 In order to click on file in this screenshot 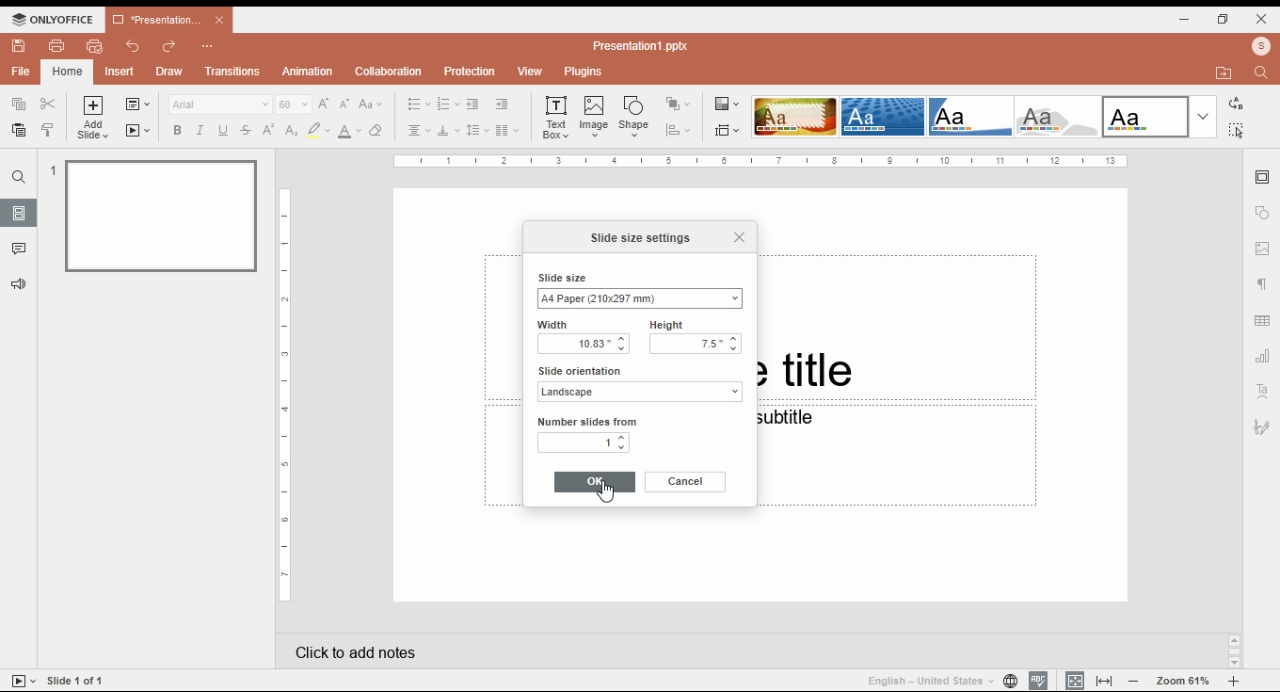, I will do `click(21, 71)`.